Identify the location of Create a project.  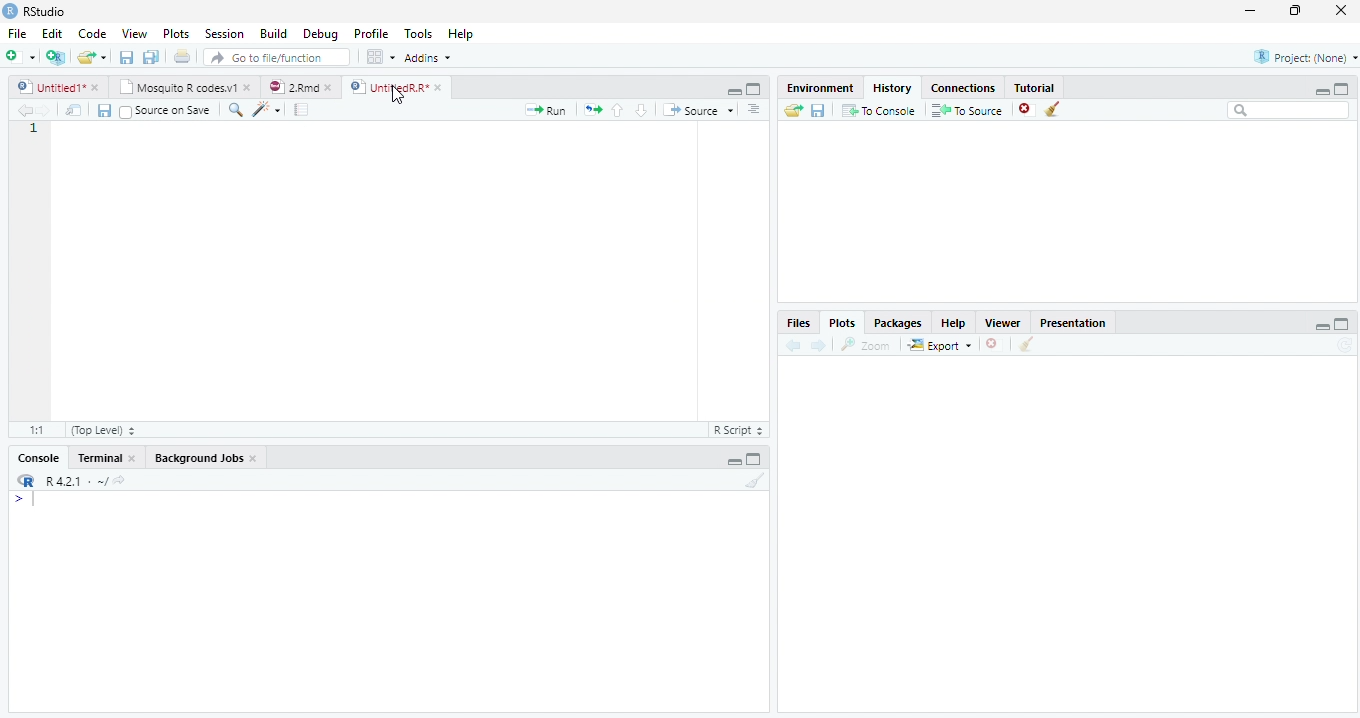
(54, 56).